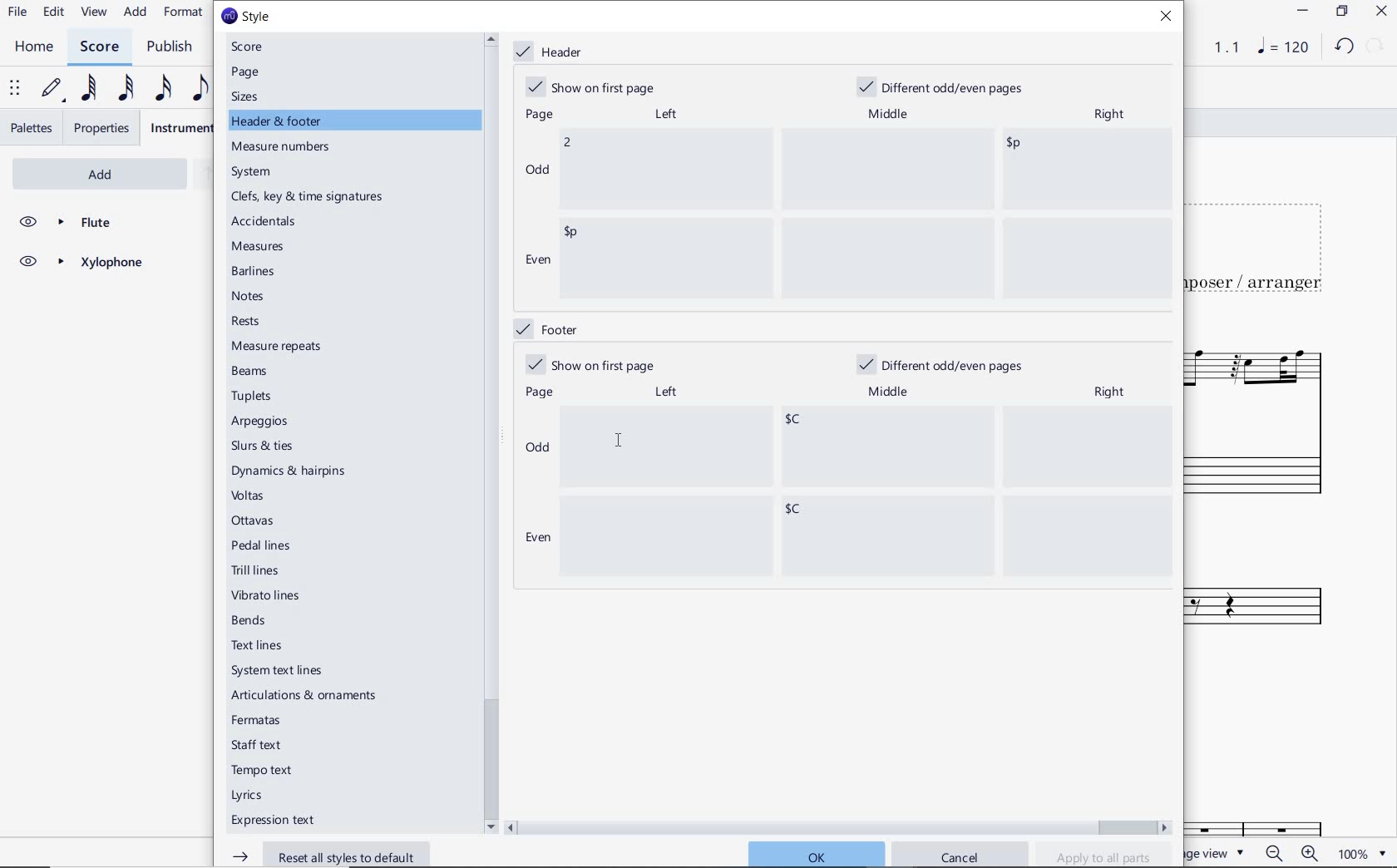  Describe the element at coordinates (263, 545) in the screenshot. I see `pedal lines` at that location.